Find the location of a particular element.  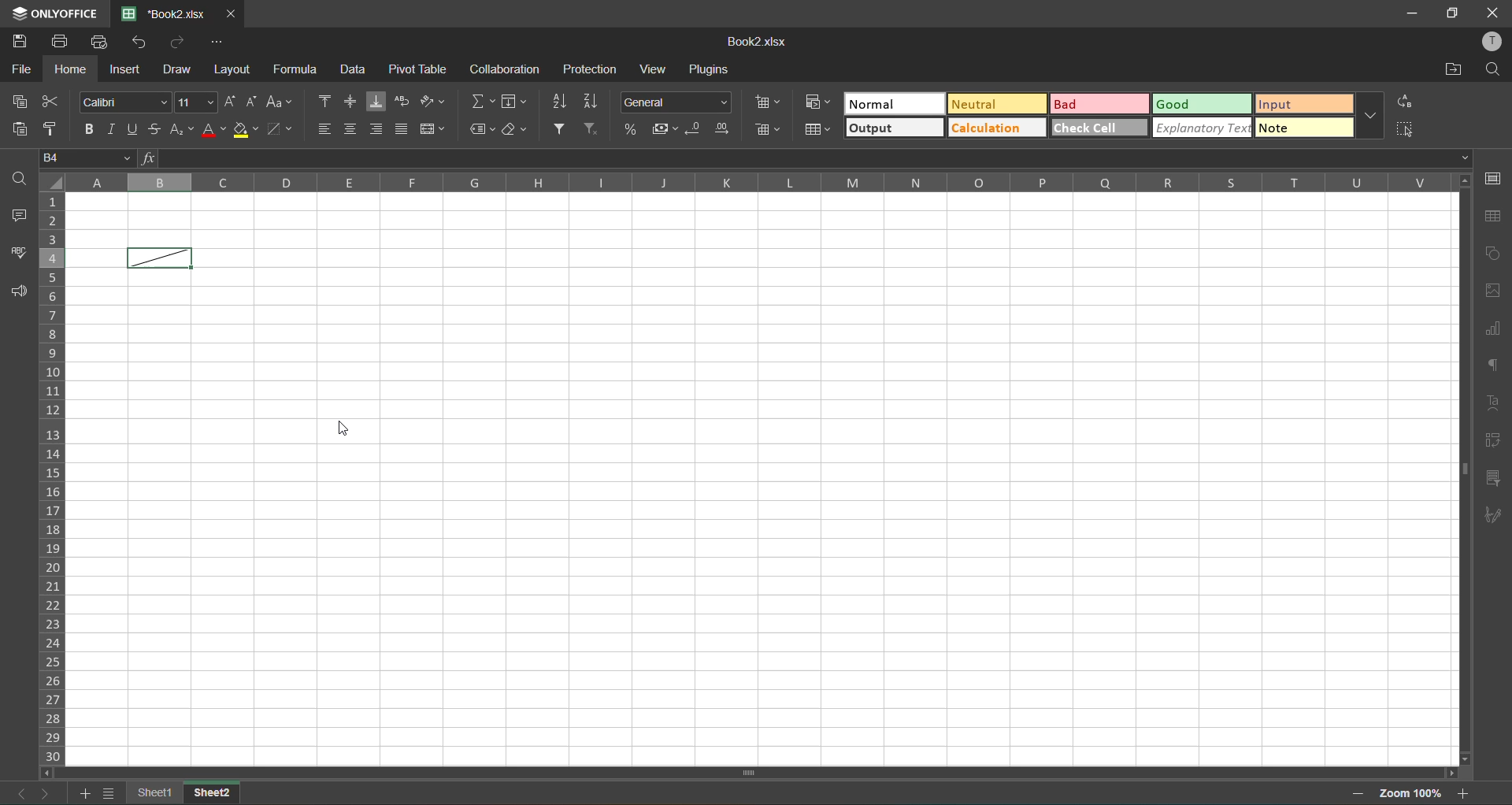

select all is located at coordinates (1405, 128).